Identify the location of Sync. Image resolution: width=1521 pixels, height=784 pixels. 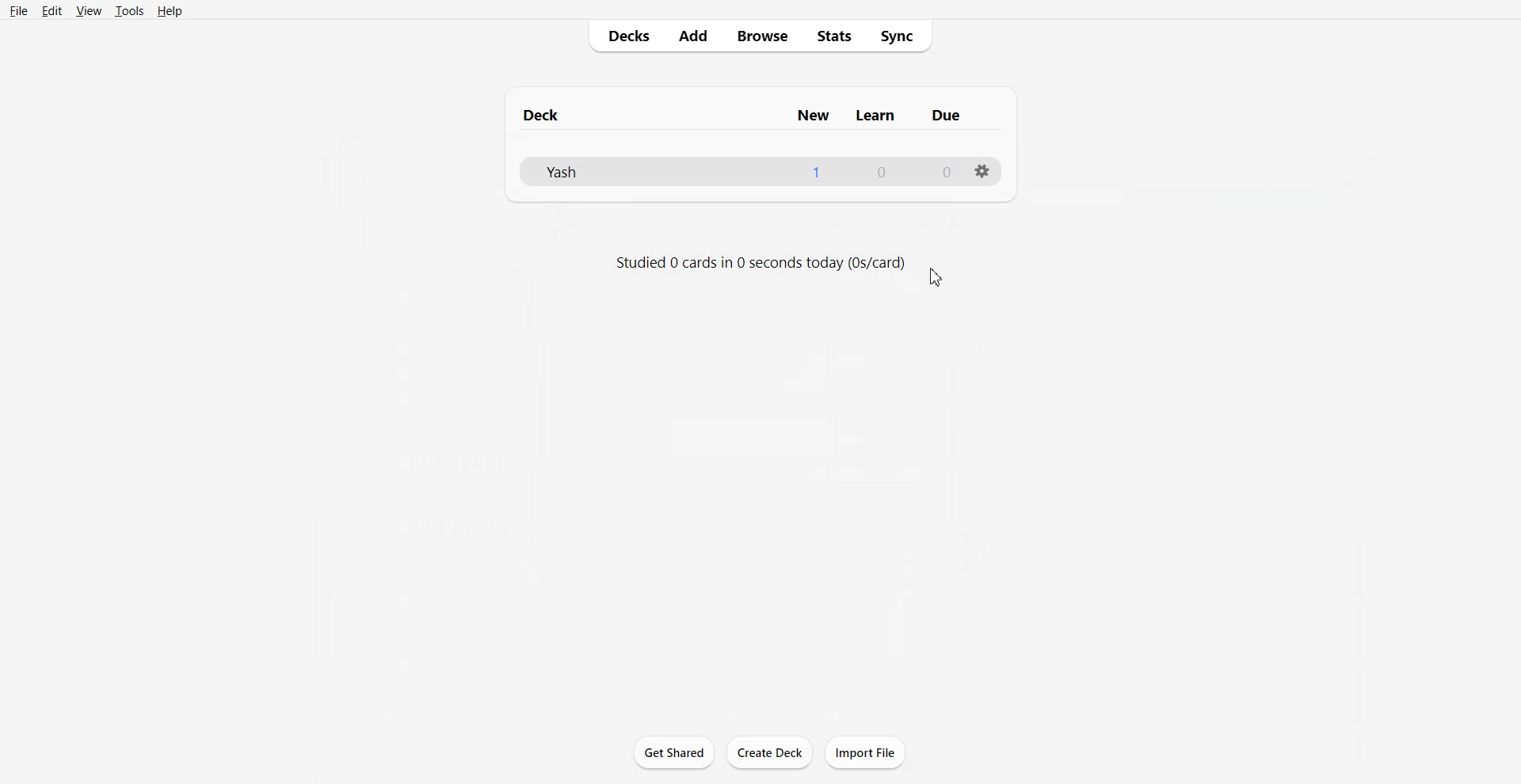
(902, 36).